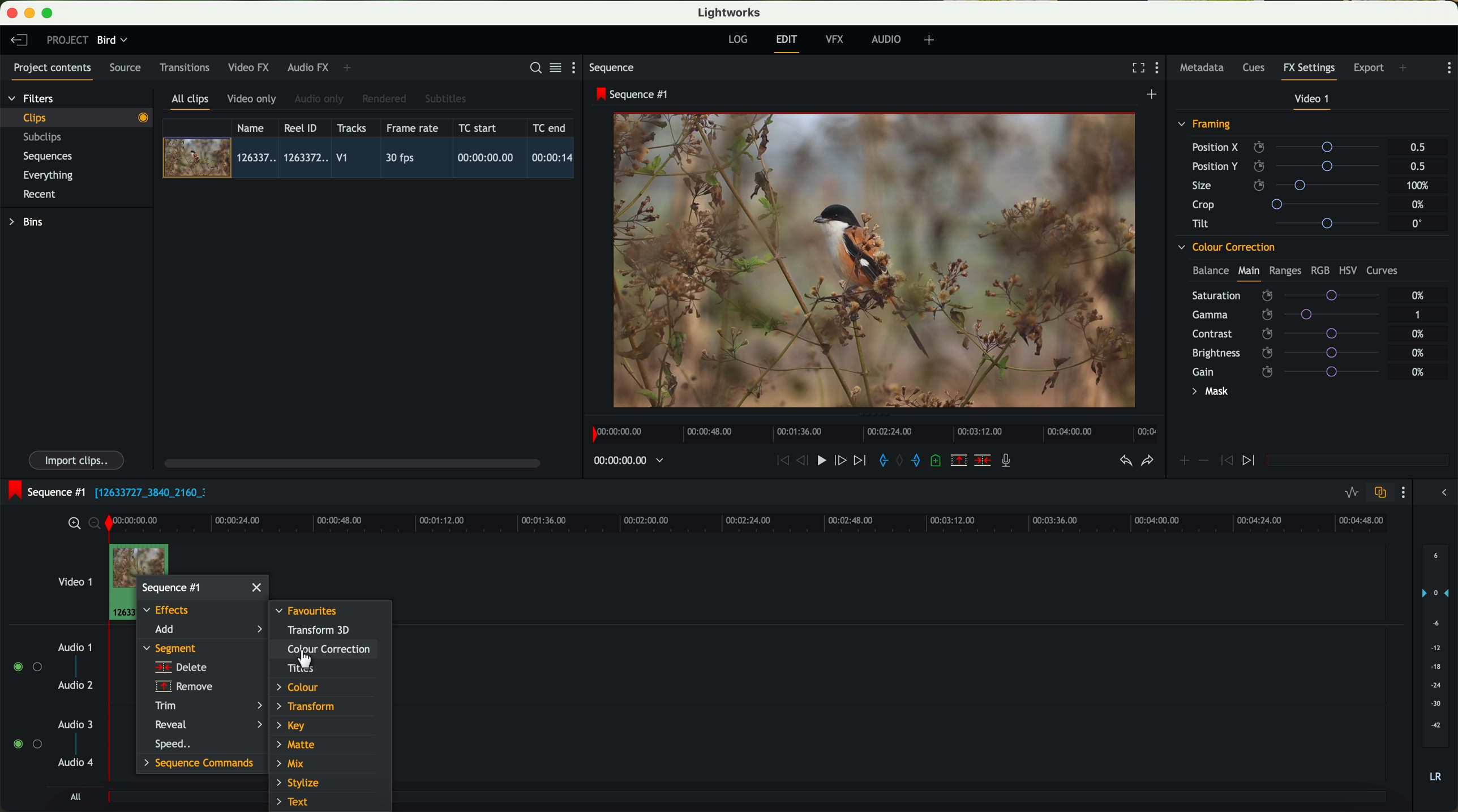  Describe the element at coordinates (1418, 351) in the screenshot. I see `0%` at that location.